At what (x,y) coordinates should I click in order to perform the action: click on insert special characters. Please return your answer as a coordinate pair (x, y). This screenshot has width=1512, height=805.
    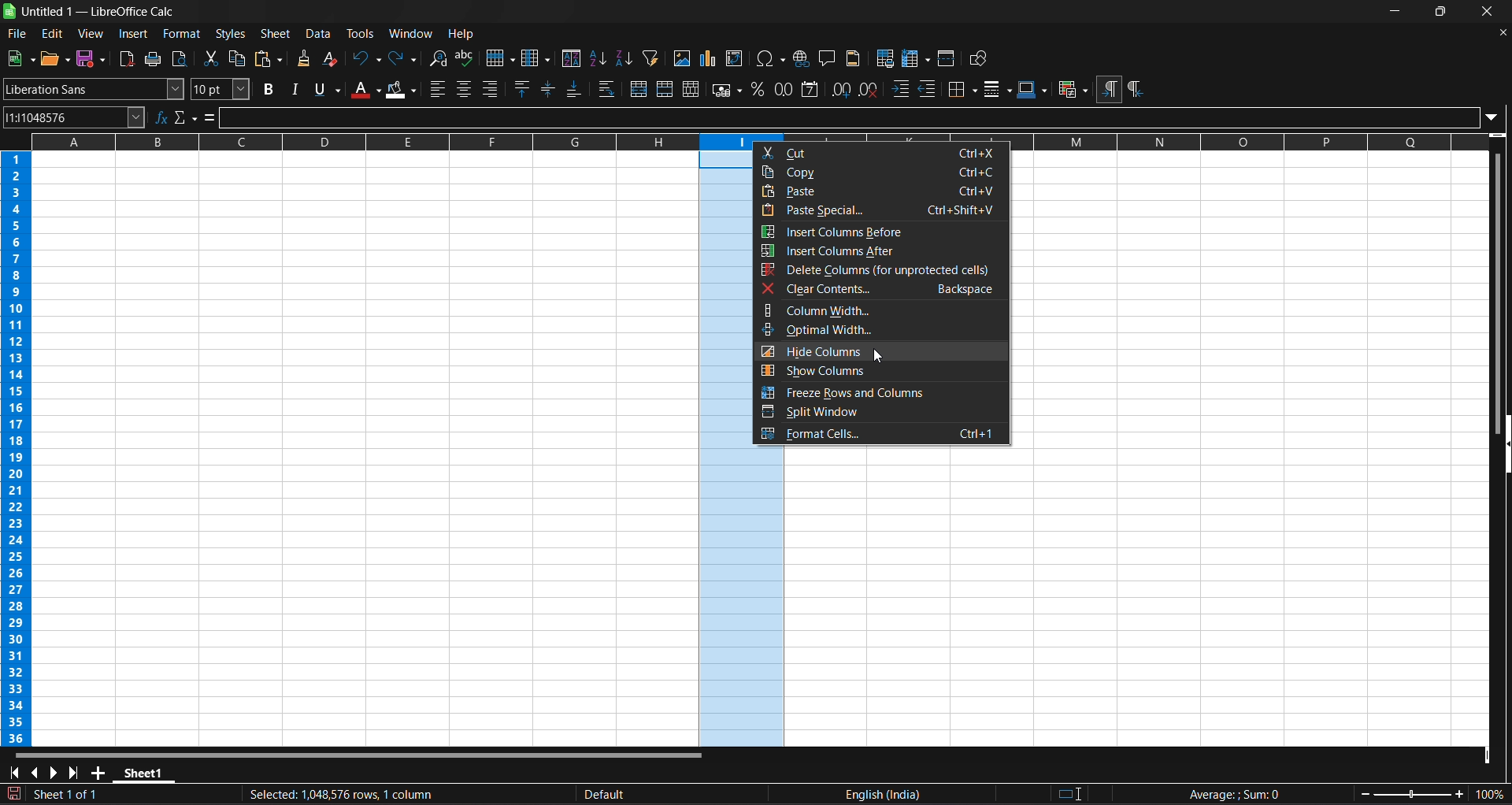
    Looking at the image, I should click on (771, 58).